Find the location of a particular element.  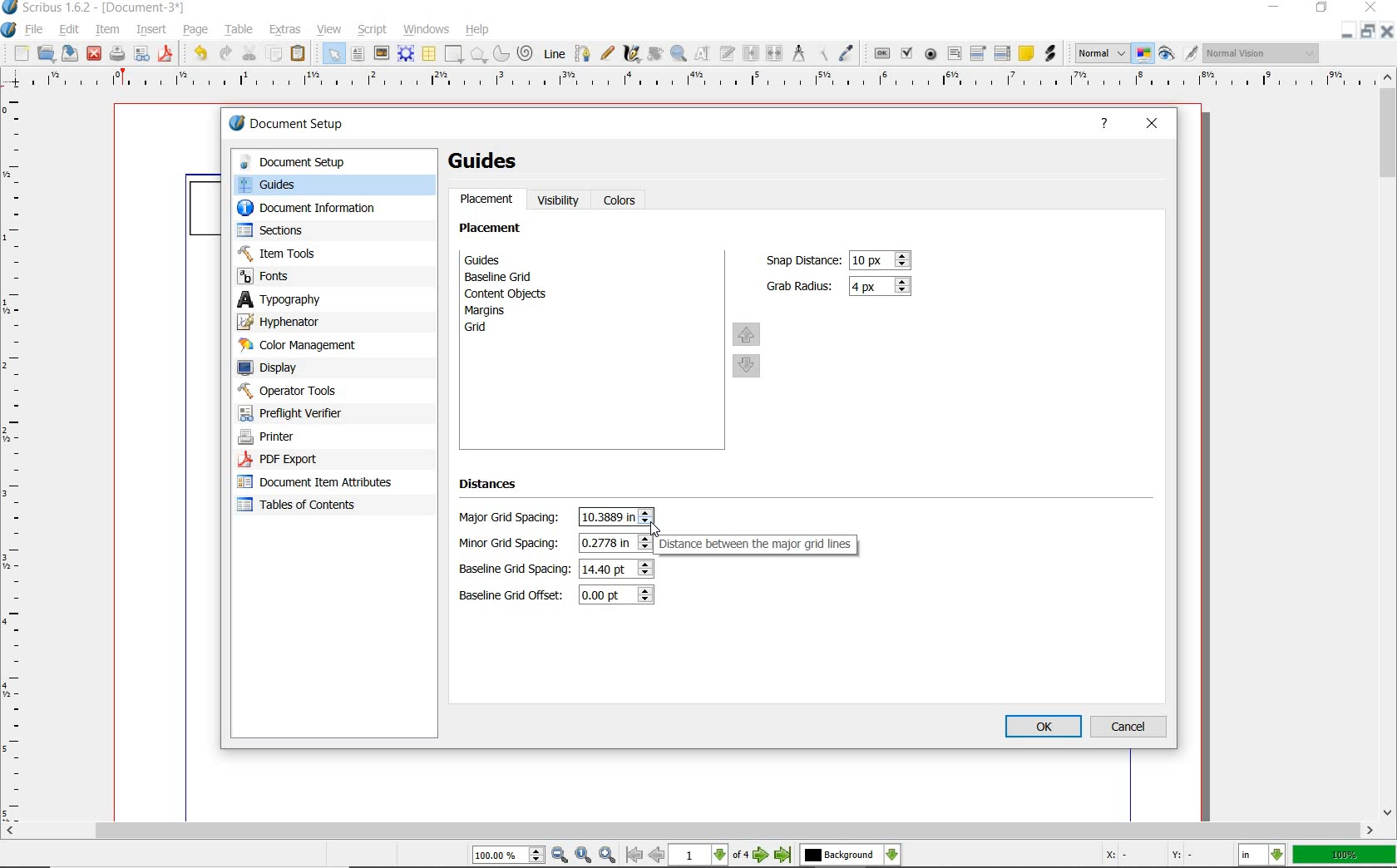

Tables of contents is located at coordinates (305, 506).